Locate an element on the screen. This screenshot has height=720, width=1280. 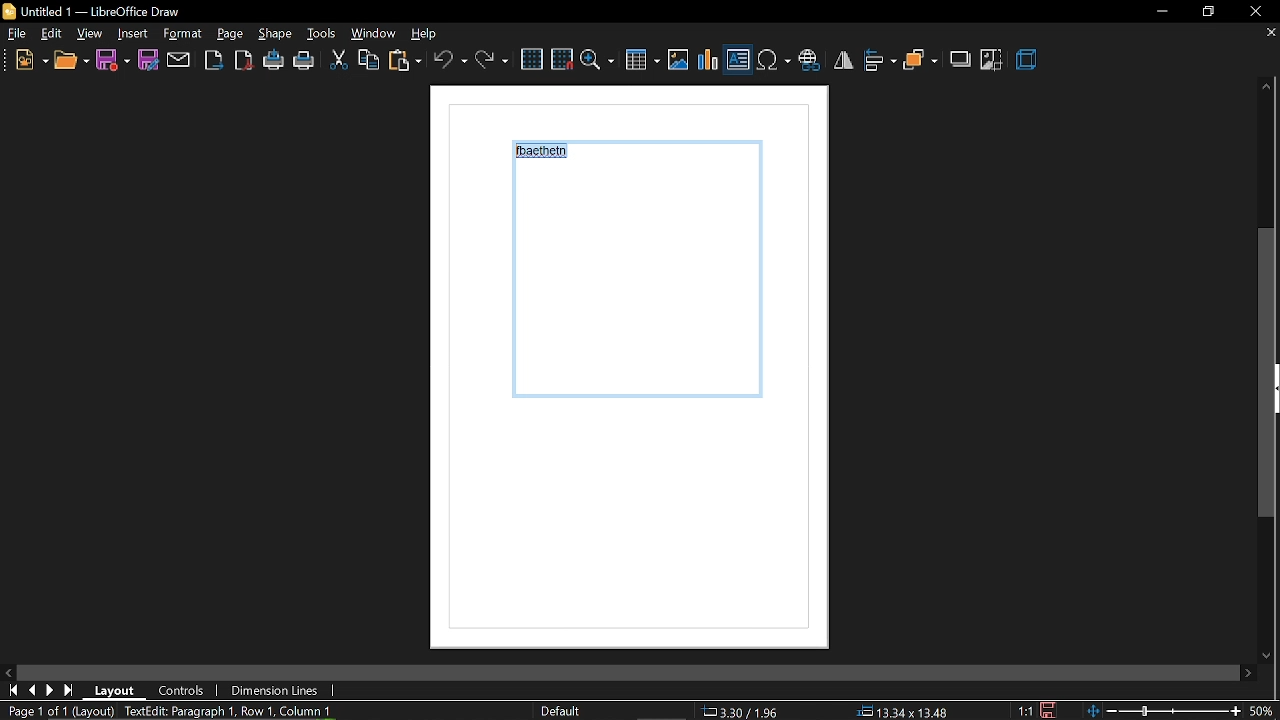
dimension lines is located at coordinates (273, 692).